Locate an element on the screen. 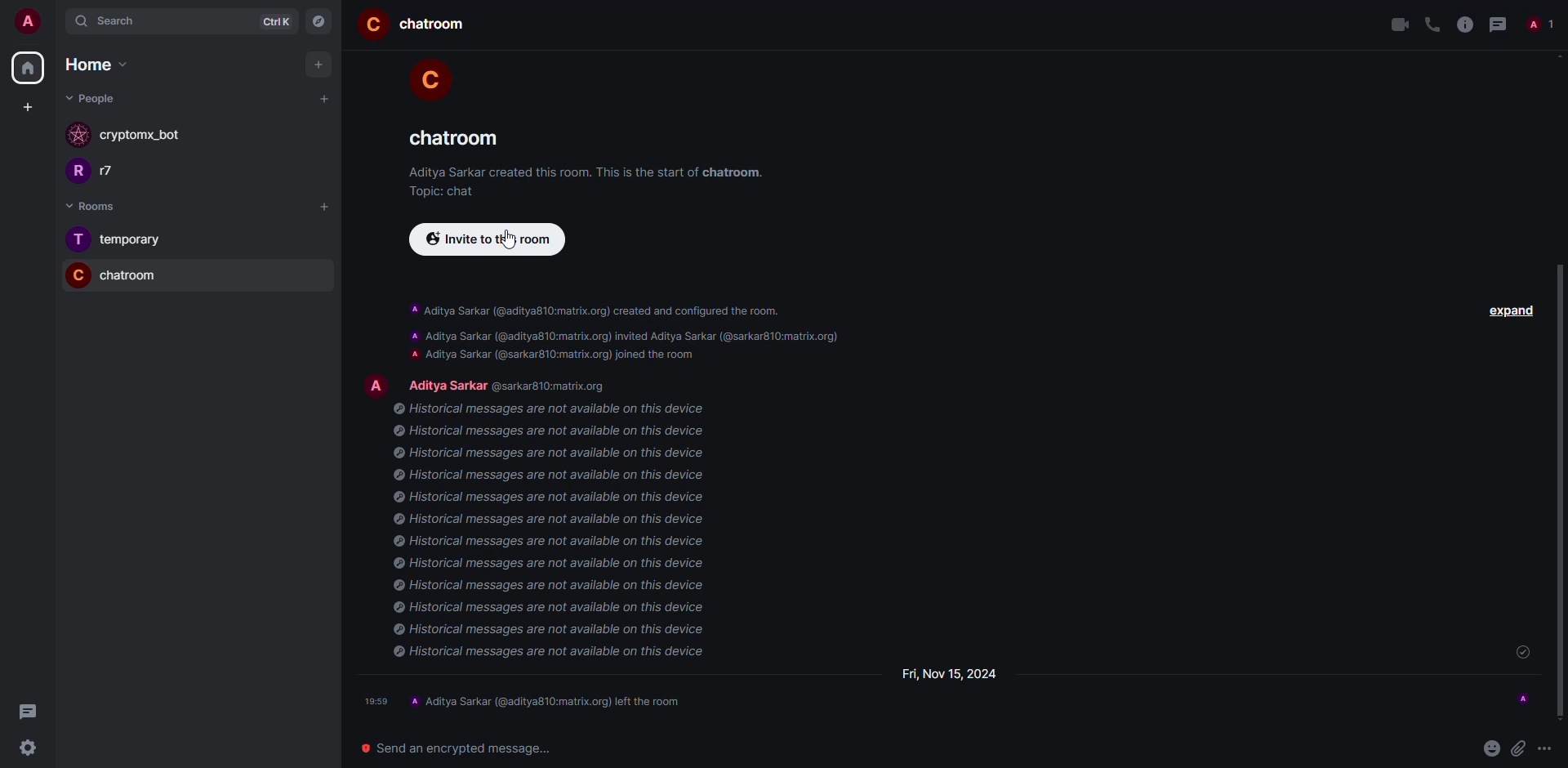  people is located at coordinates (118, 172).